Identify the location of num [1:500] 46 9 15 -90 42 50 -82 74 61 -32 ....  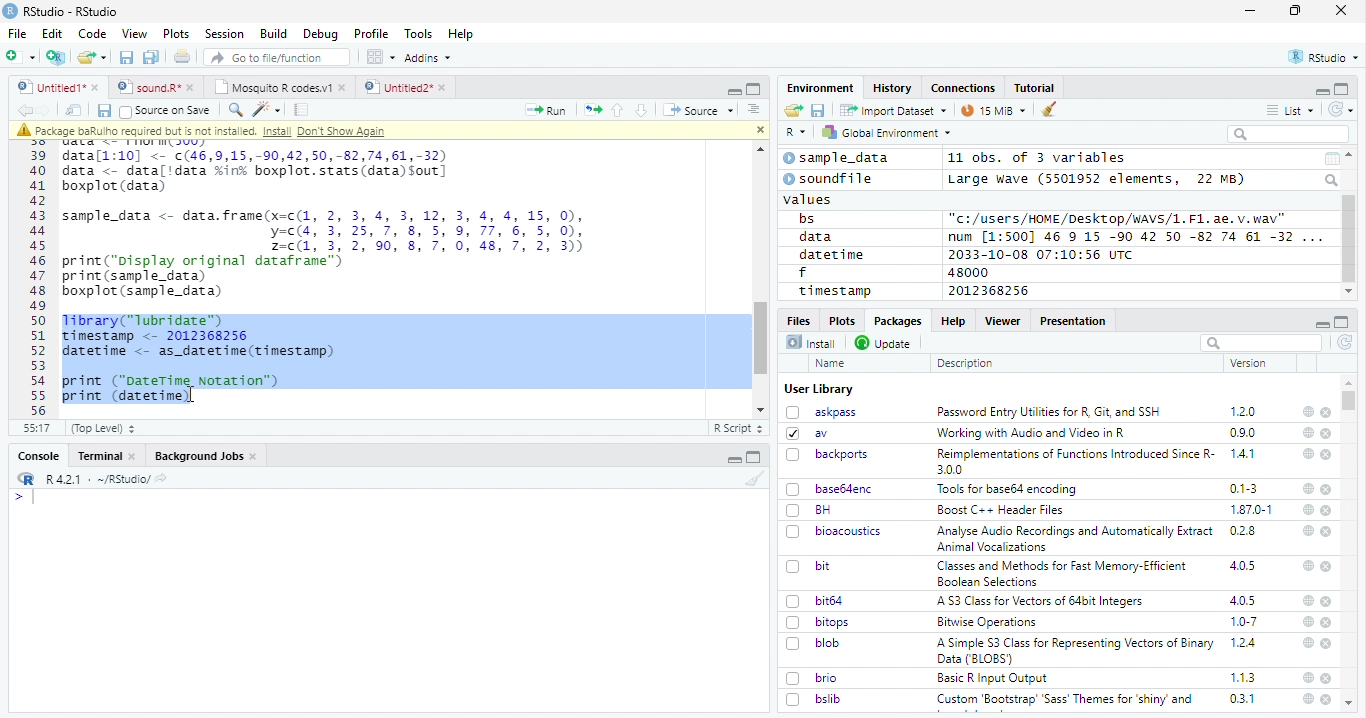
(1135, 236).